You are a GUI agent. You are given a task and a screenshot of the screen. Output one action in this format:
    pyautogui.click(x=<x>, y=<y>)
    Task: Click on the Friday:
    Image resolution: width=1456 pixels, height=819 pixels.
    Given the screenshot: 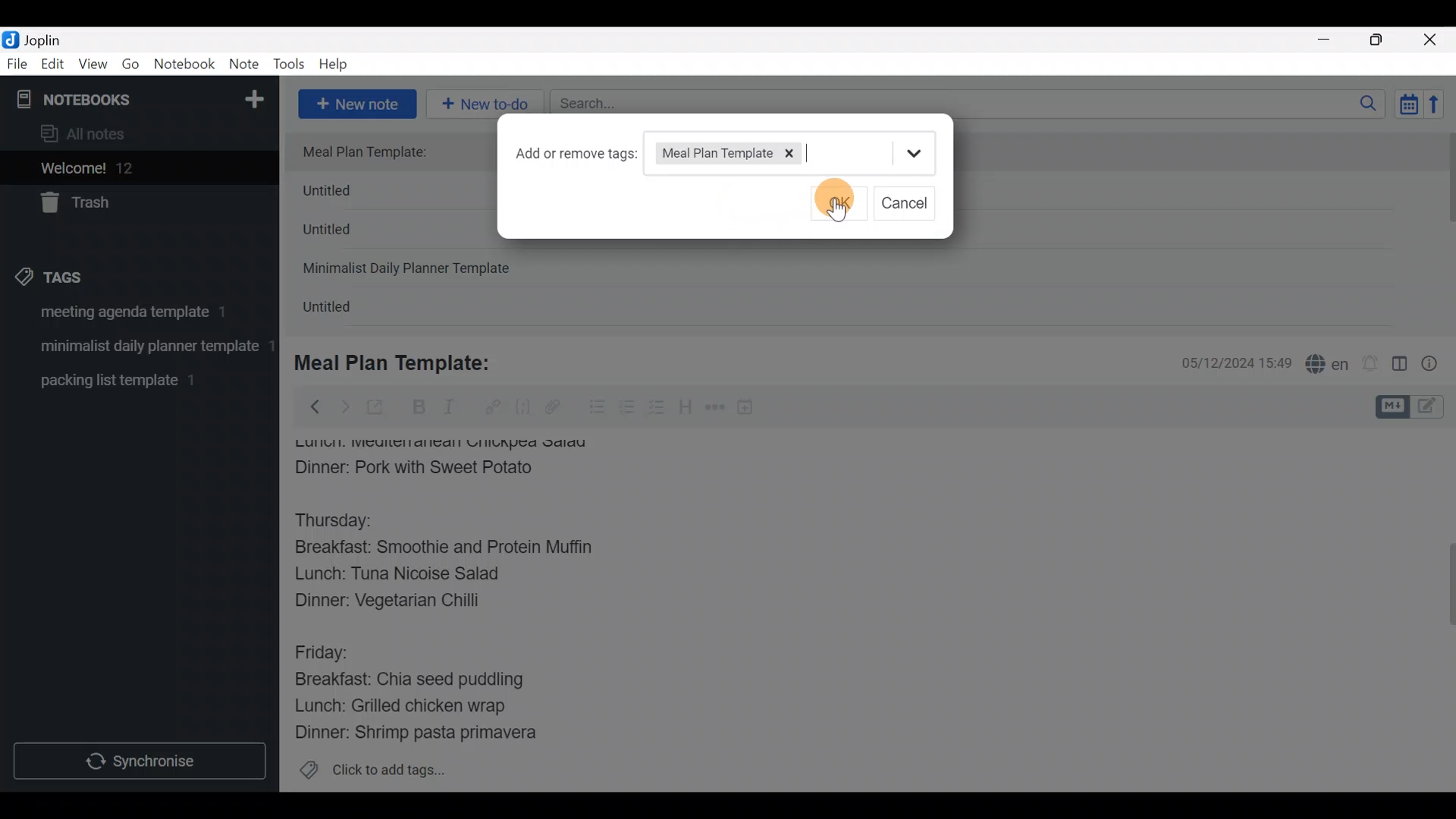 What is the action you would take?
    pyautogui.click(x=326, y=651)
    